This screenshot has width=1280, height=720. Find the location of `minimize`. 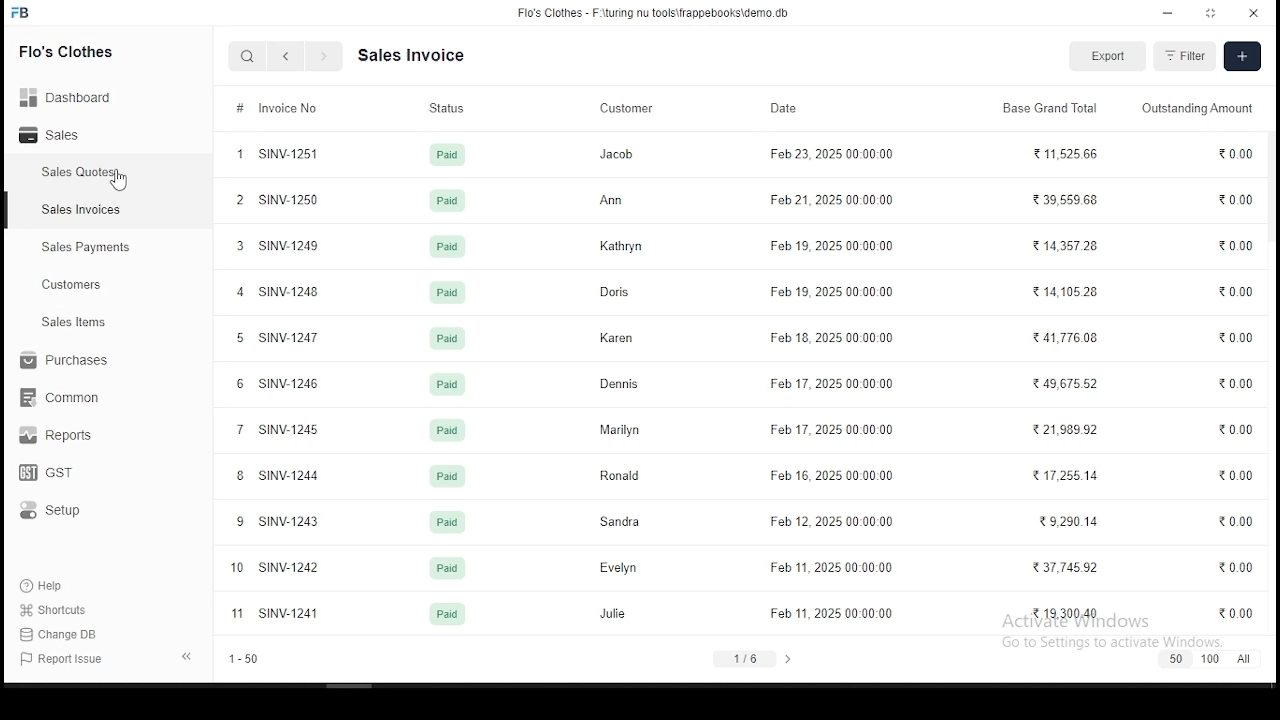

minimize is located at coordinates (1163, 13).